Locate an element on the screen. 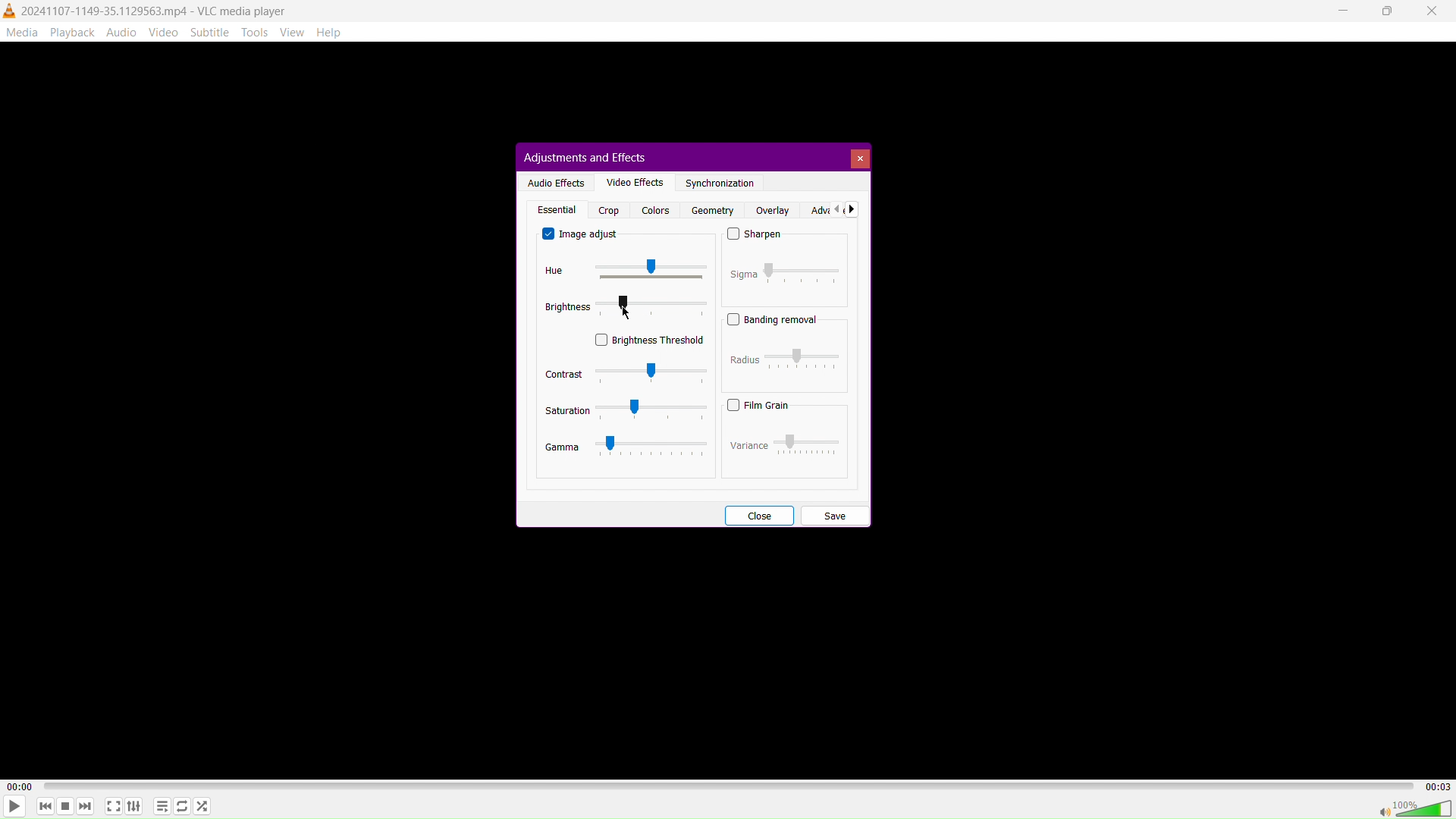 The image size is (1456, 819). Brightness is located at coordinates (626, 306).